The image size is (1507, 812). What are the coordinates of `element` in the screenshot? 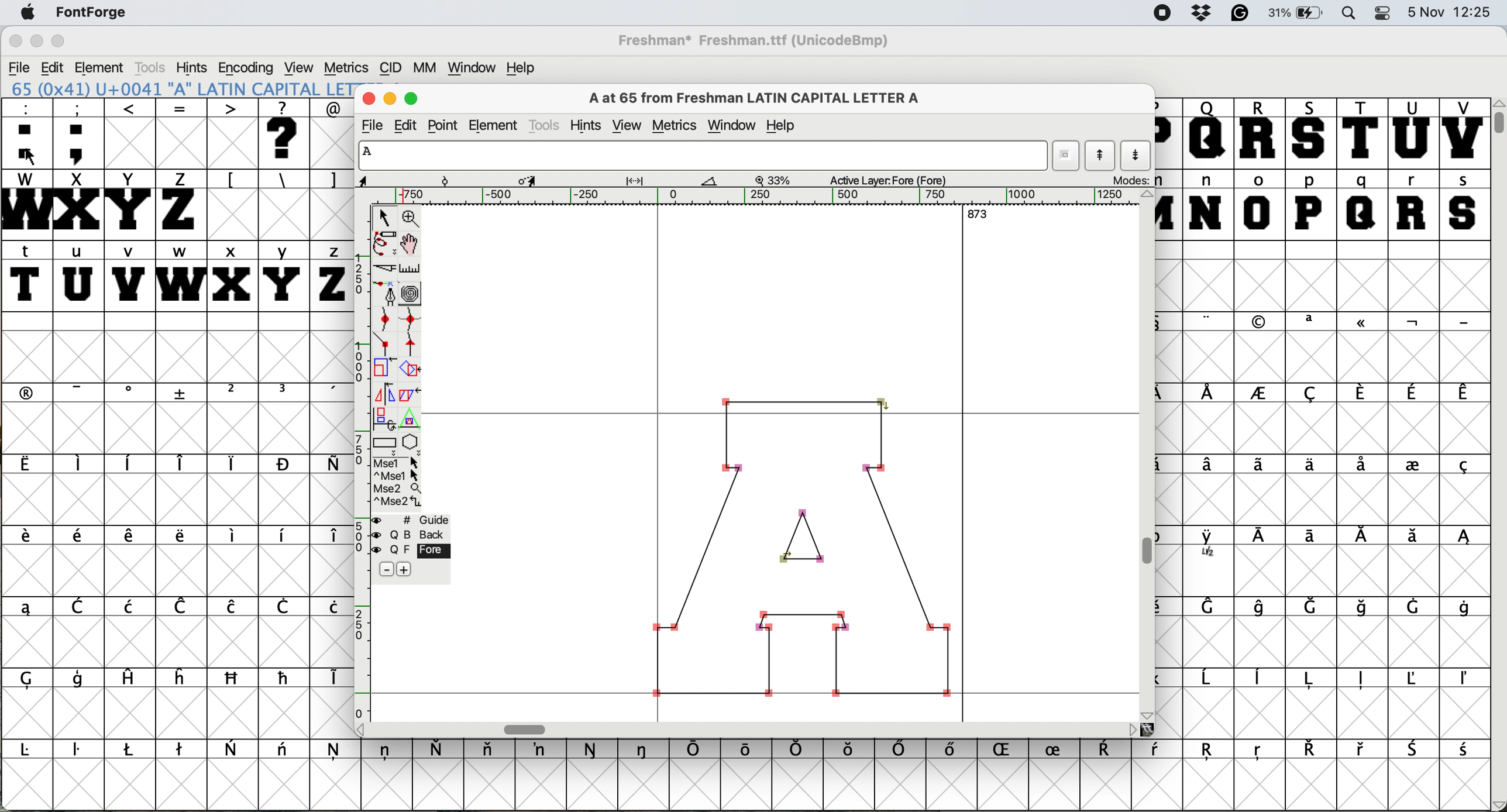 It's located at (493, 125).